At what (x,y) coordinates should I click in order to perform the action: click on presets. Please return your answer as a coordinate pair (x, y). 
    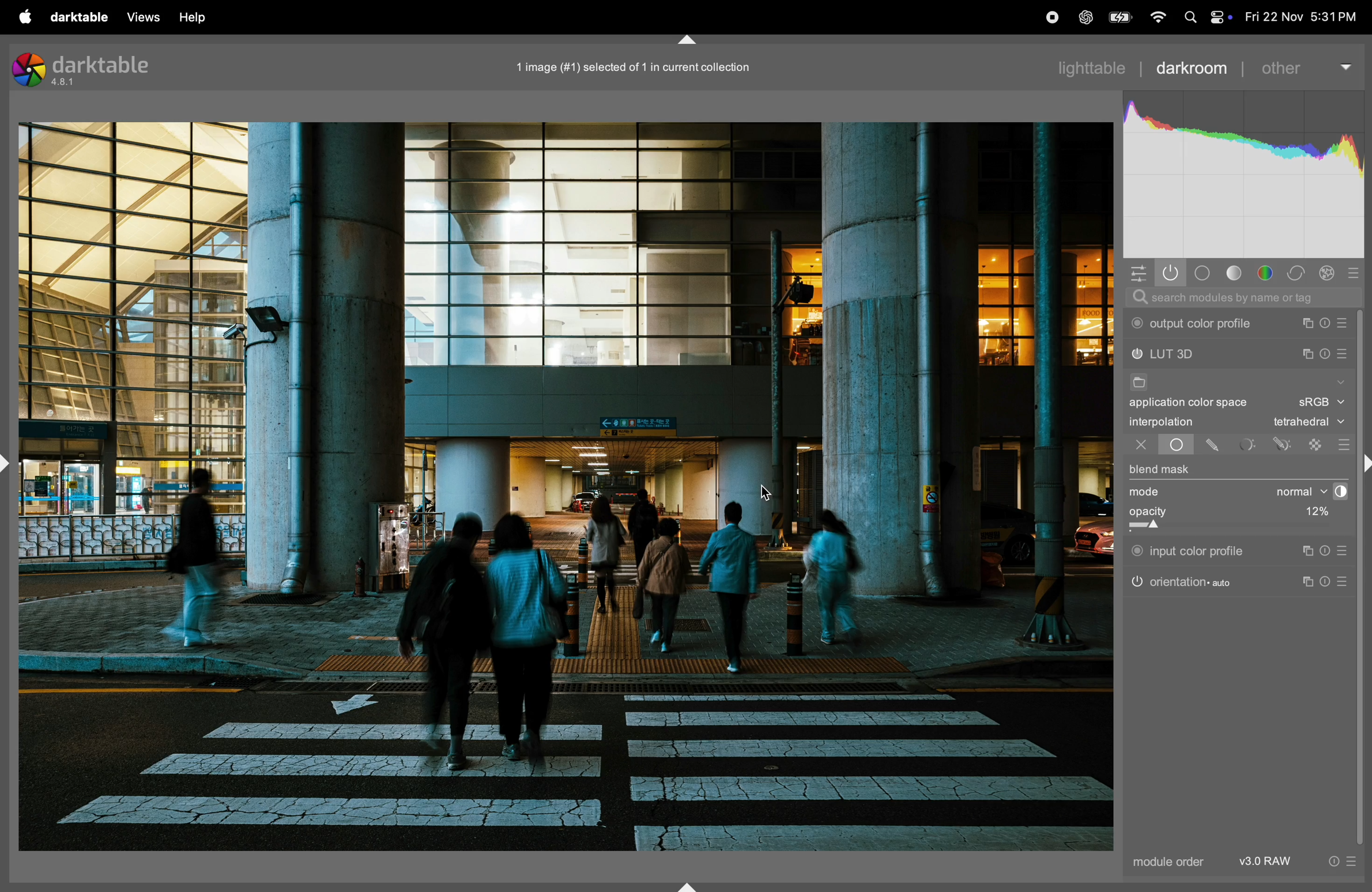
    Looking at the image, I should click on (1344, 356).